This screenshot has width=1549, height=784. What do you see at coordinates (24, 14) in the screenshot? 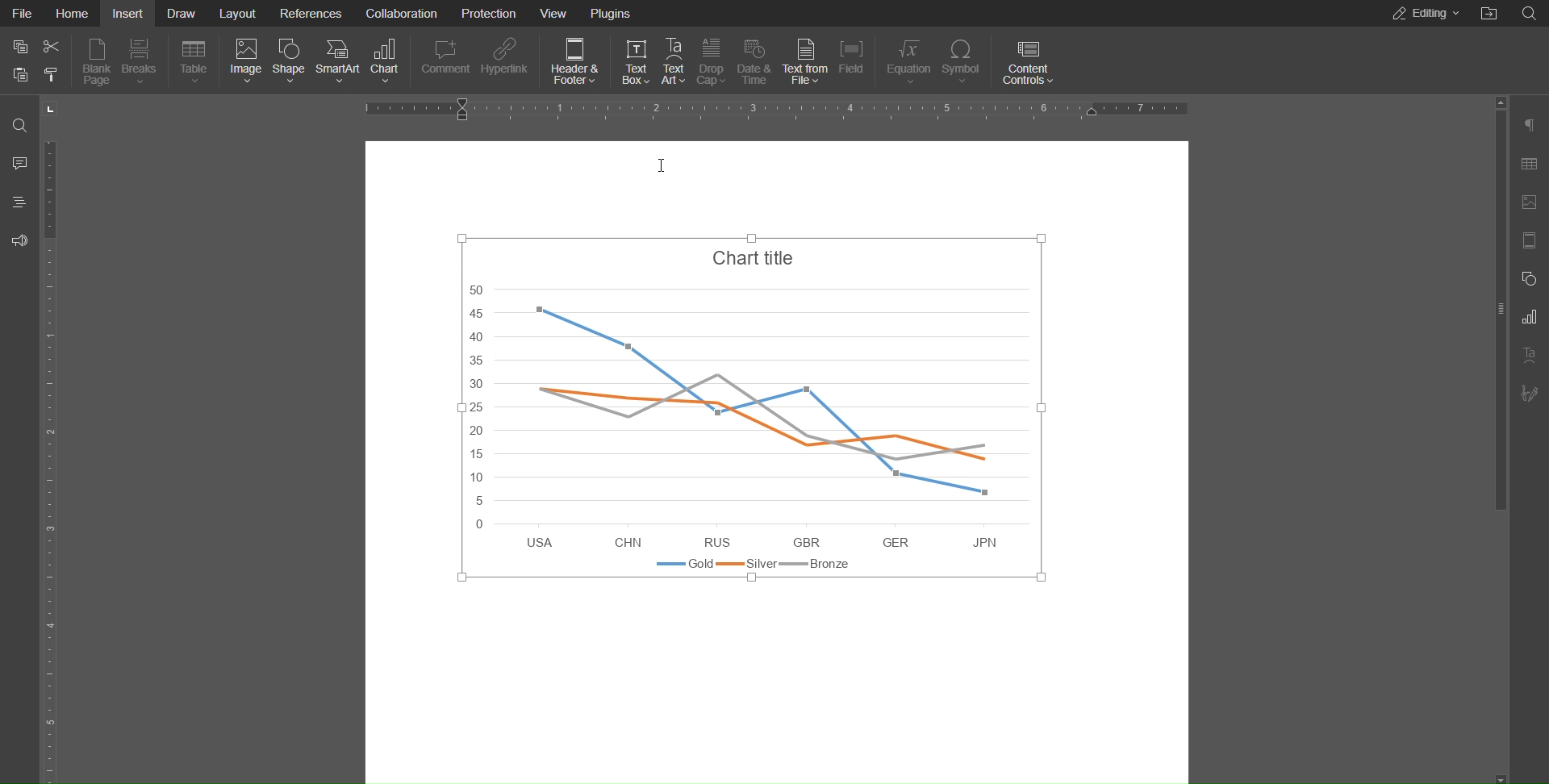
I see `File` at bounding box center [24, 14].